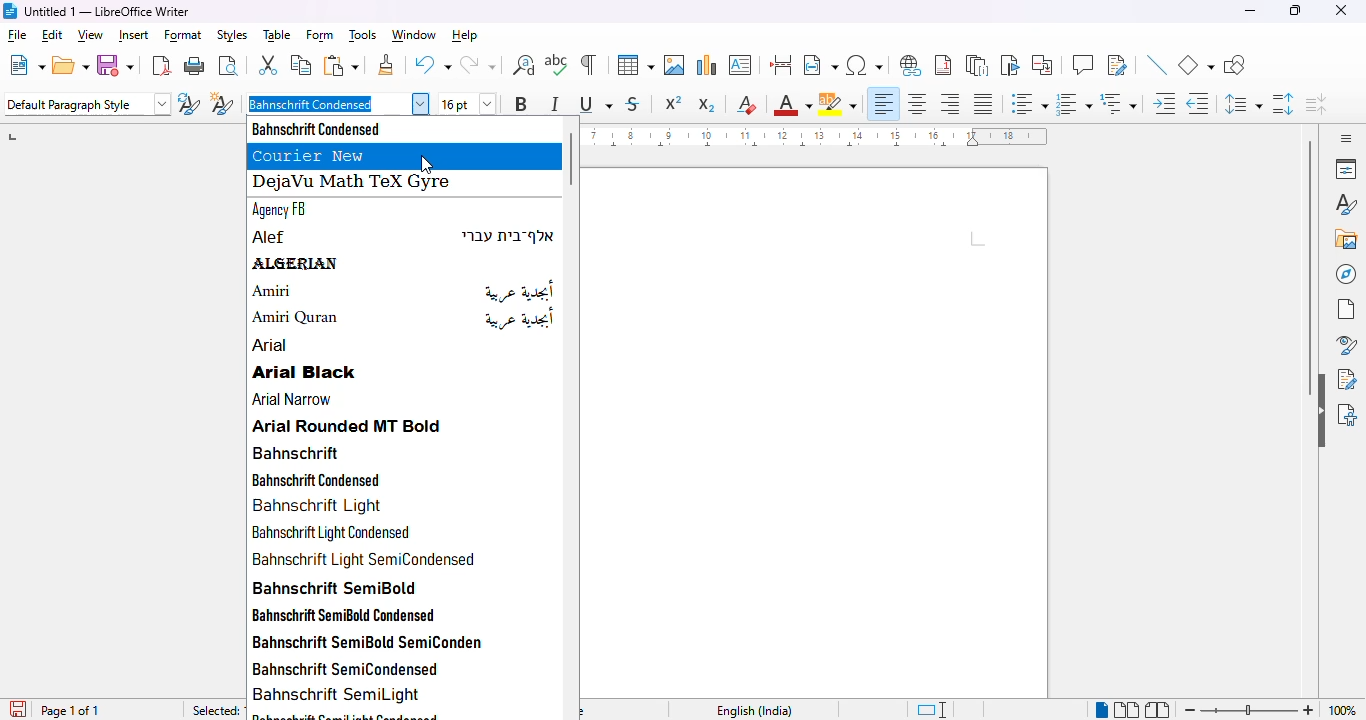  Describe the element at coordinates (162, 65) in the screenshot. I see `export directly as PDF` at that location.